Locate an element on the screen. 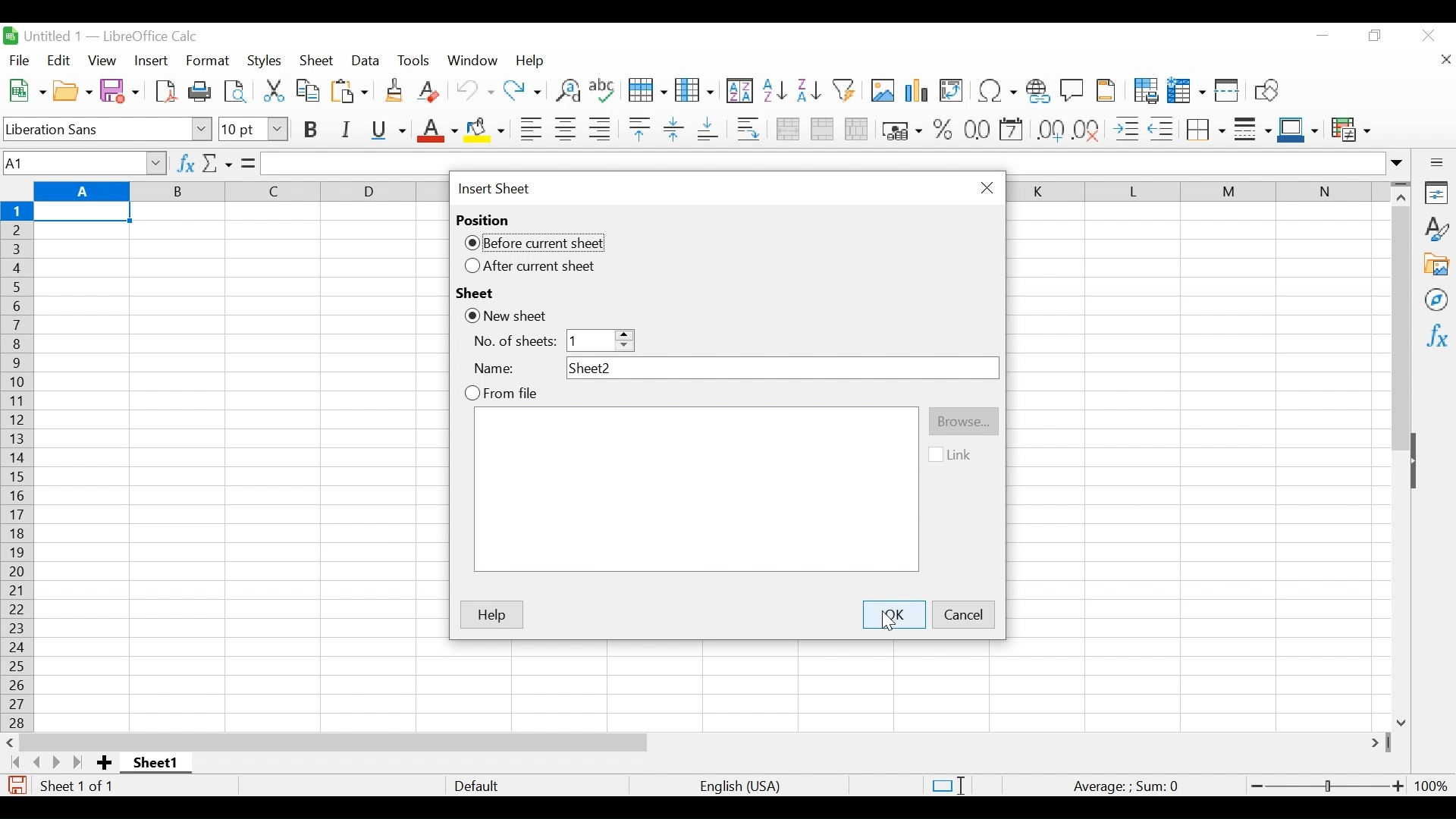 The height and width of the screenshot is (819, 1456). (un)select link is located at coordinates (953, 456).